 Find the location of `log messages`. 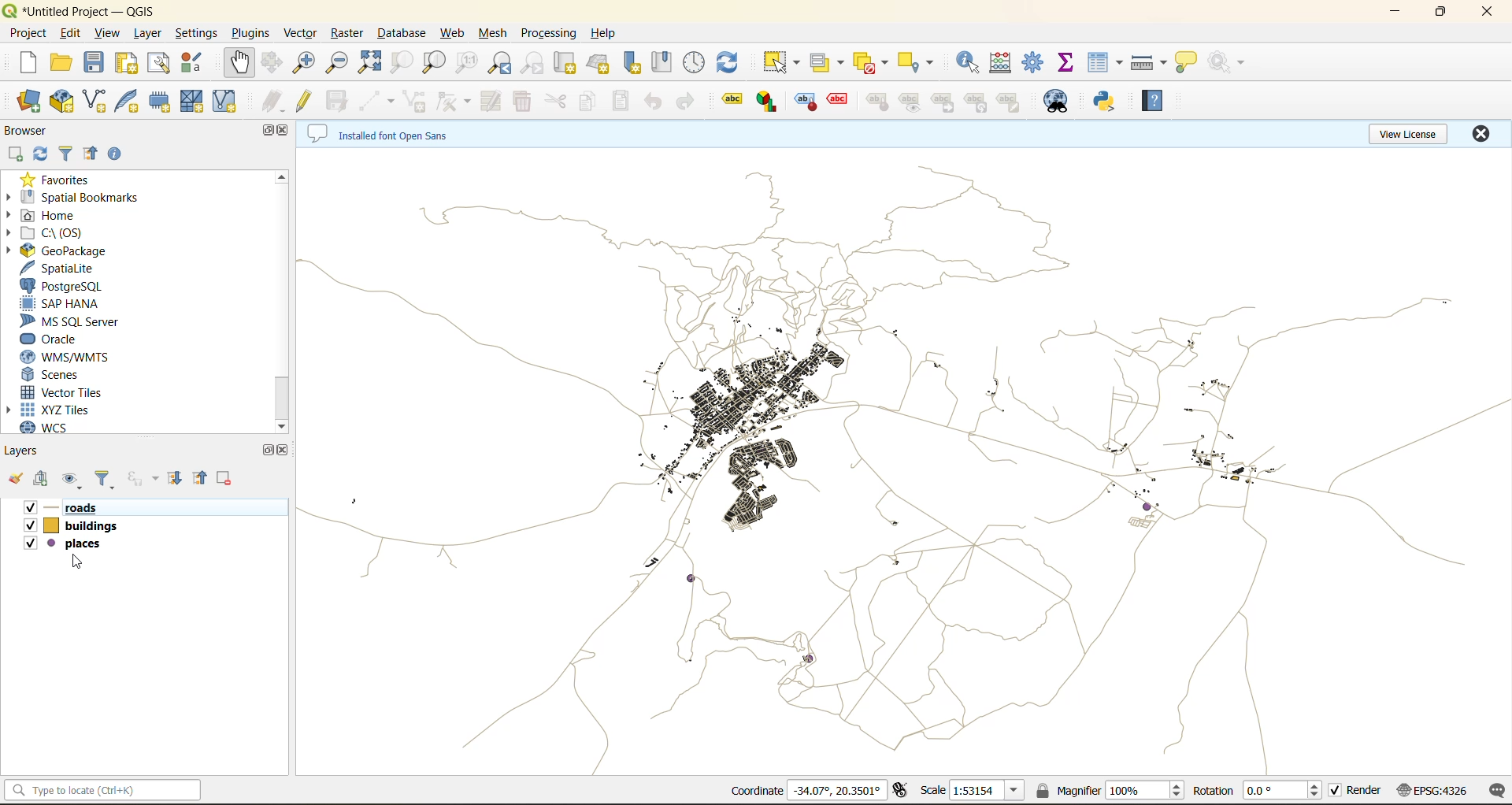

log messages is located at coordinates (1492, 792).